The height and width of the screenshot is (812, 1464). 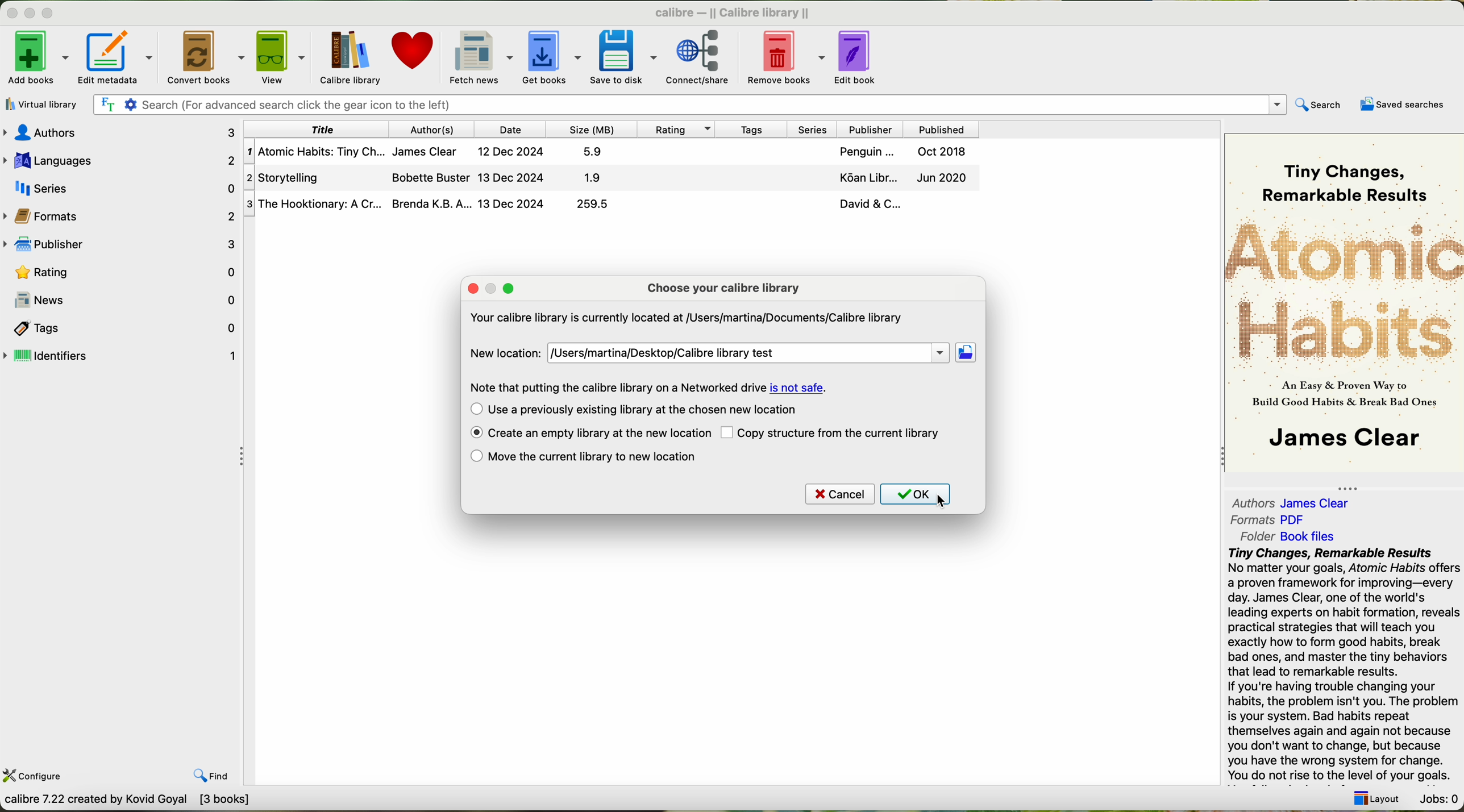 What do you see at coordinates (36, 60) in the screenshot?
I see `add books` at bounding box center [36, 60].